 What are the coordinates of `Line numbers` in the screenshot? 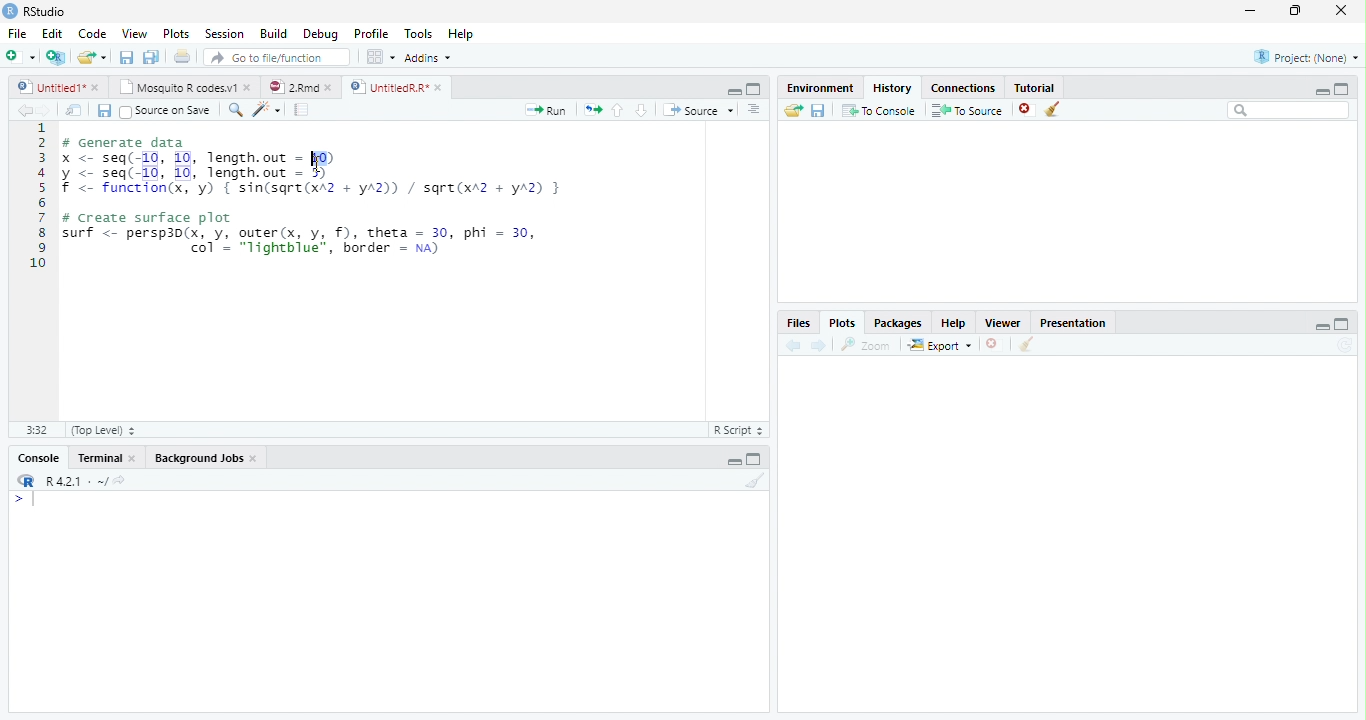 It's located at (39, 197).